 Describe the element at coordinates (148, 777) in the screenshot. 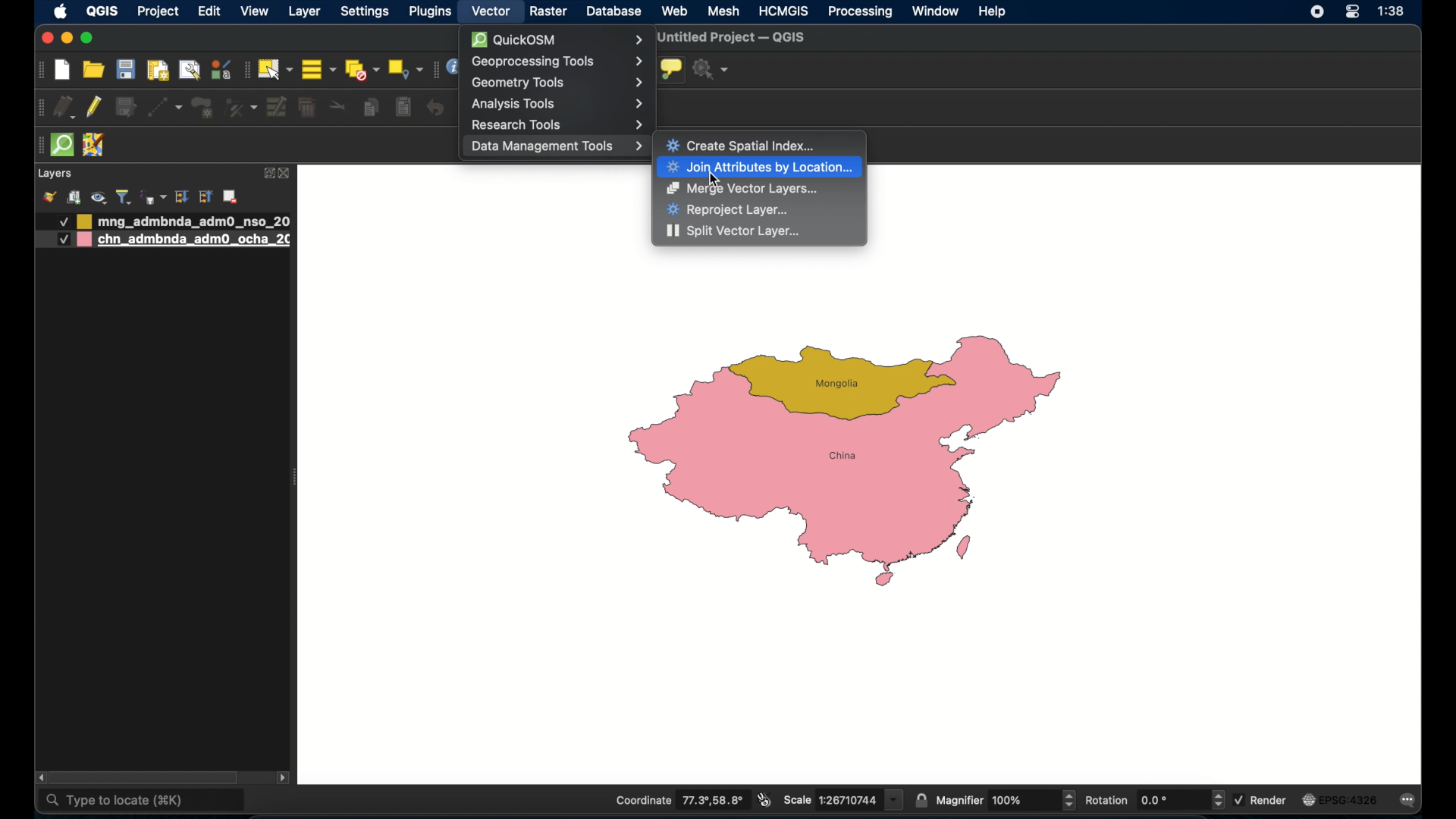

I see `scroll box` at that location.